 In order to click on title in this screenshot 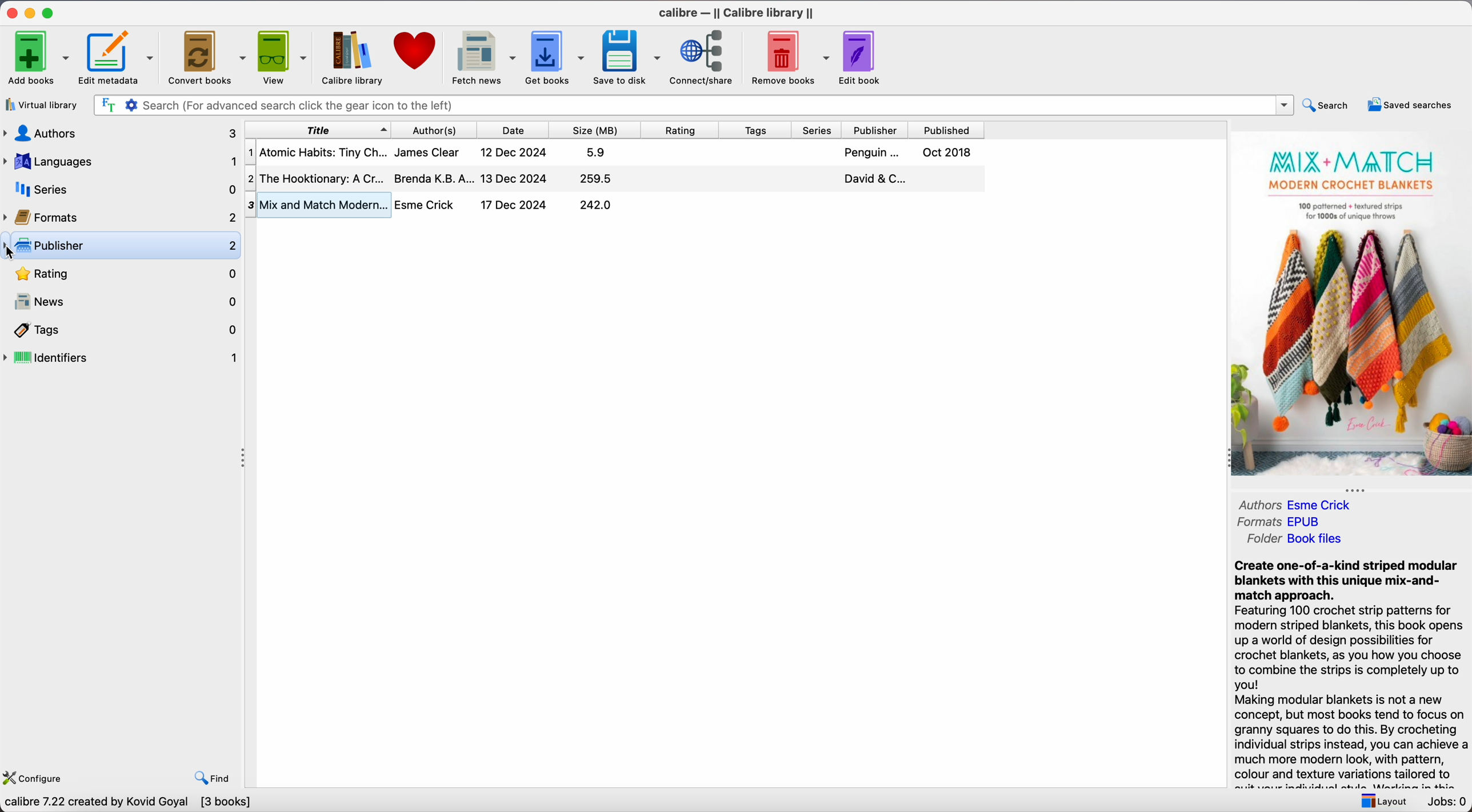, I will do `click(317, 129)`.